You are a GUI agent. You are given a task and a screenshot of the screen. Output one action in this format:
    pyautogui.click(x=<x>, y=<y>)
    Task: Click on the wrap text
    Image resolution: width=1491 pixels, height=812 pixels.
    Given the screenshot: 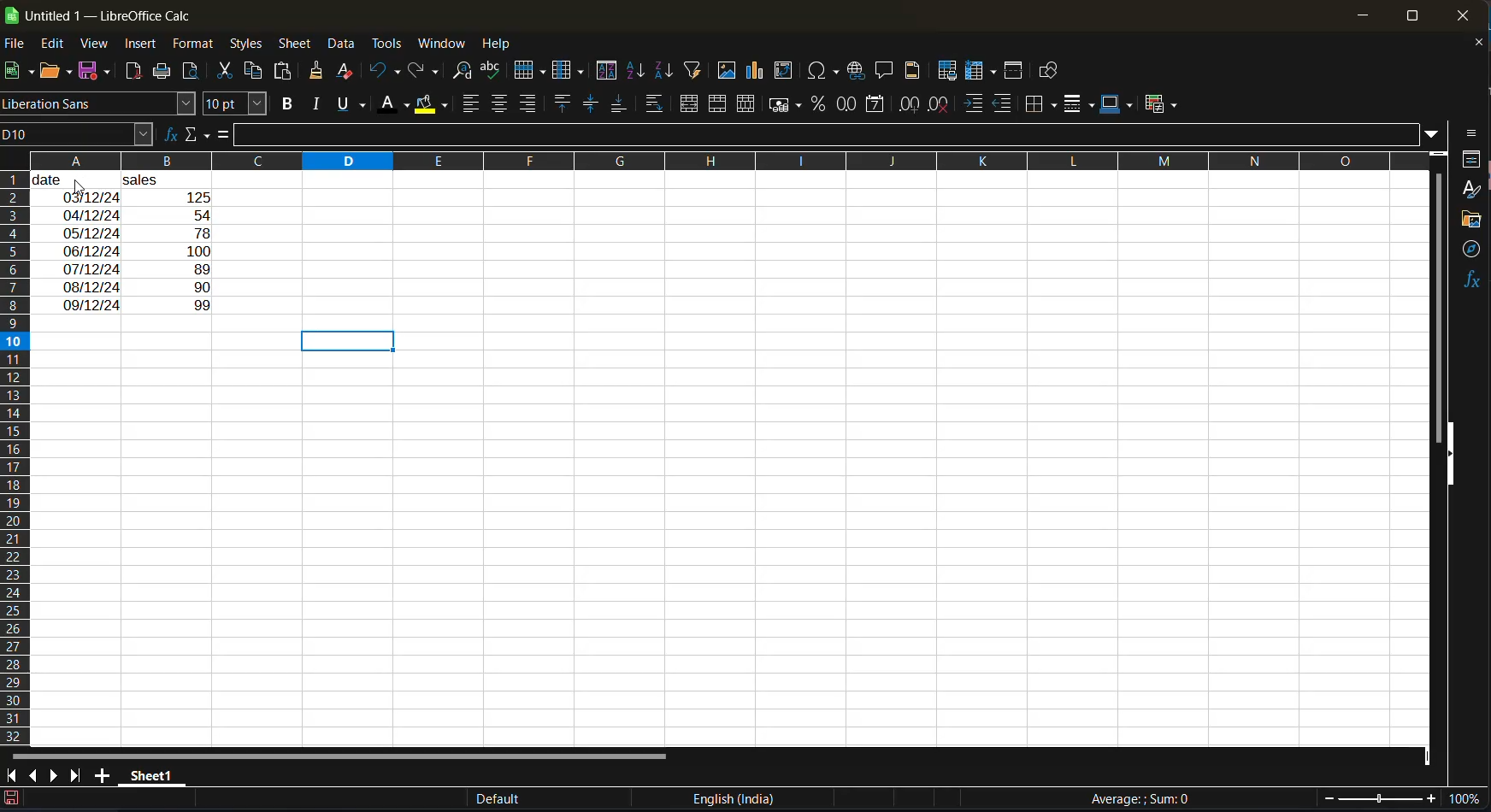 What is the action you would take?
    pyautogui.click(x=657, y=103)
    